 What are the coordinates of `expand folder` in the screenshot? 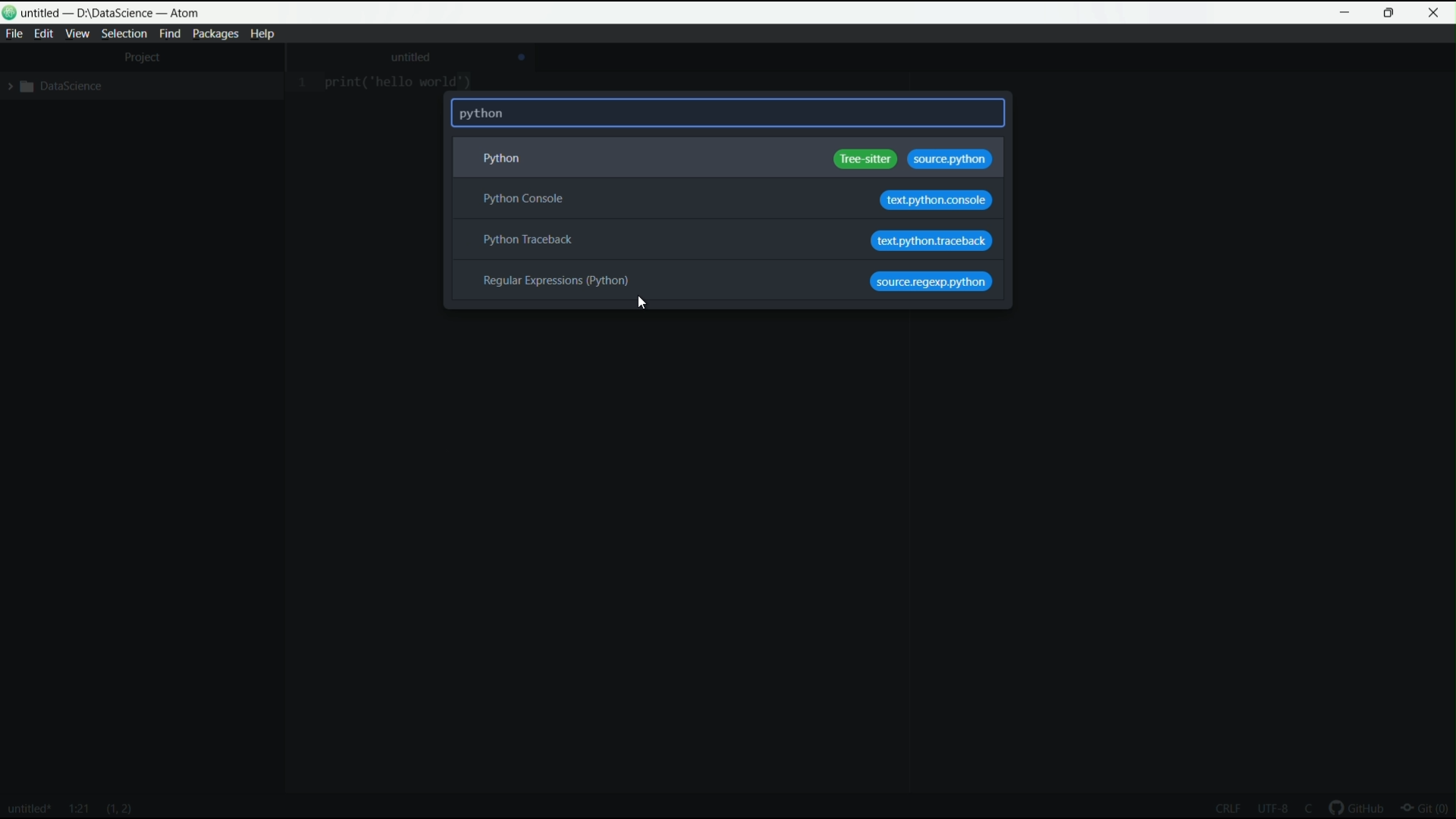 It's located at (53, 86).